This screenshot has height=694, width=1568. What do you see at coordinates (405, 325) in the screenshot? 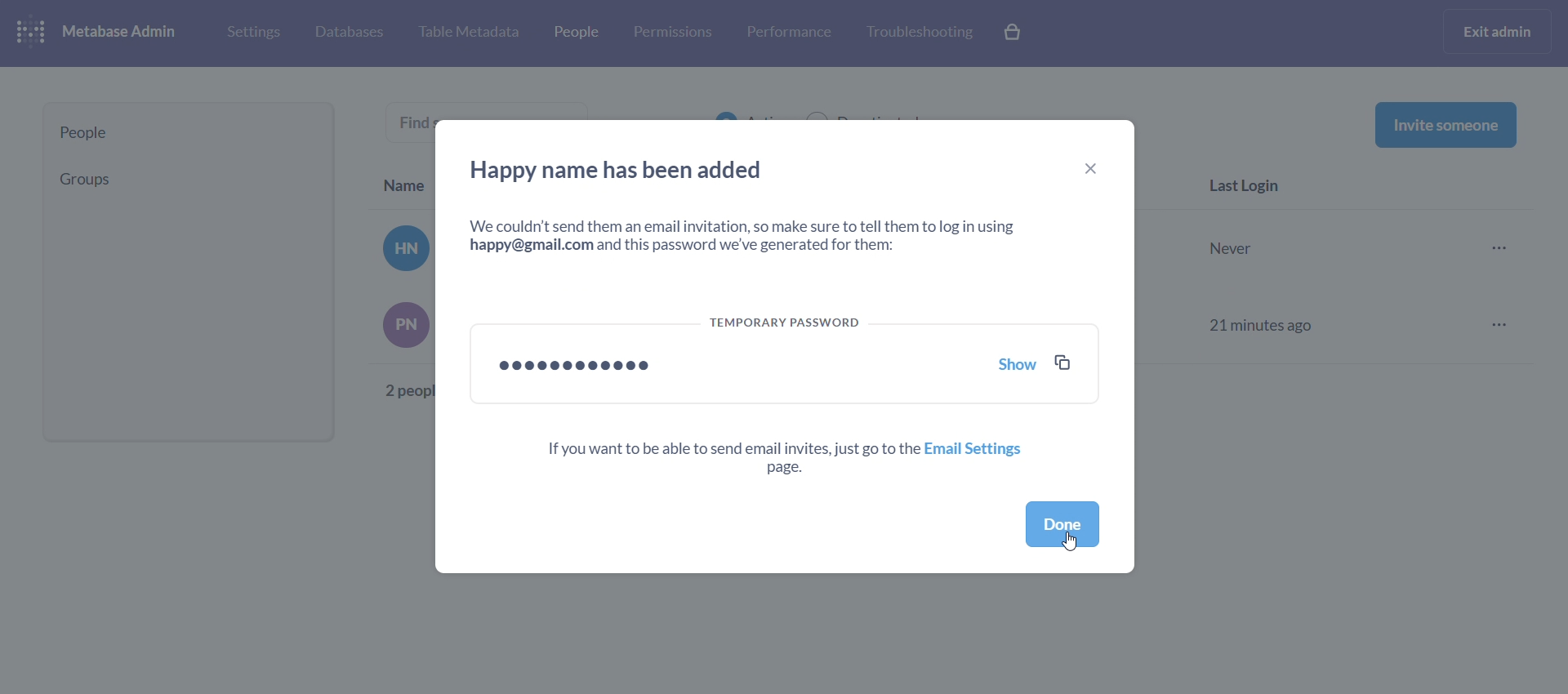
I see `image` at bounding box center [405, 325].